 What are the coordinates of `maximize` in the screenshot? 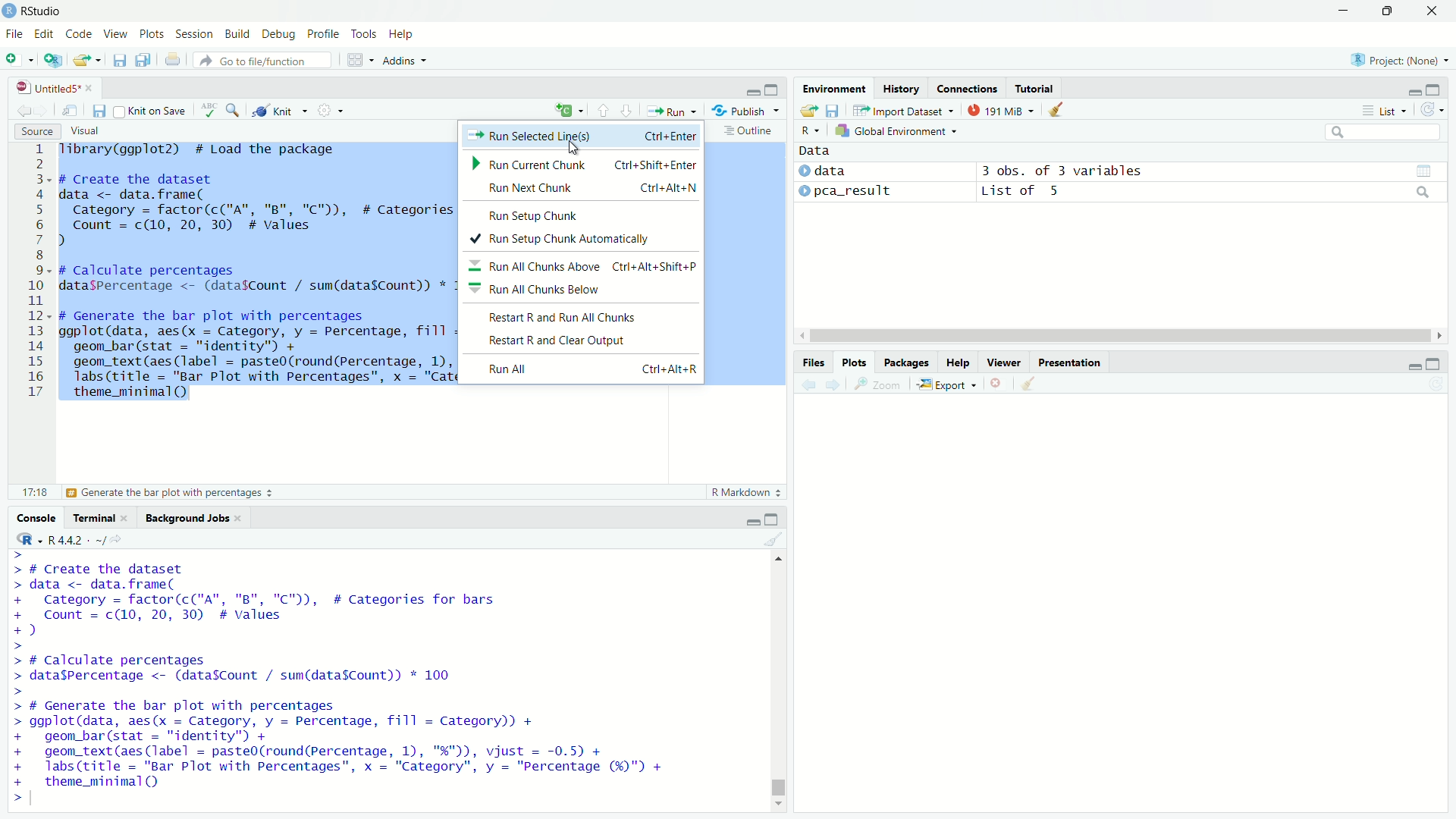 It's located at (1433, 362).